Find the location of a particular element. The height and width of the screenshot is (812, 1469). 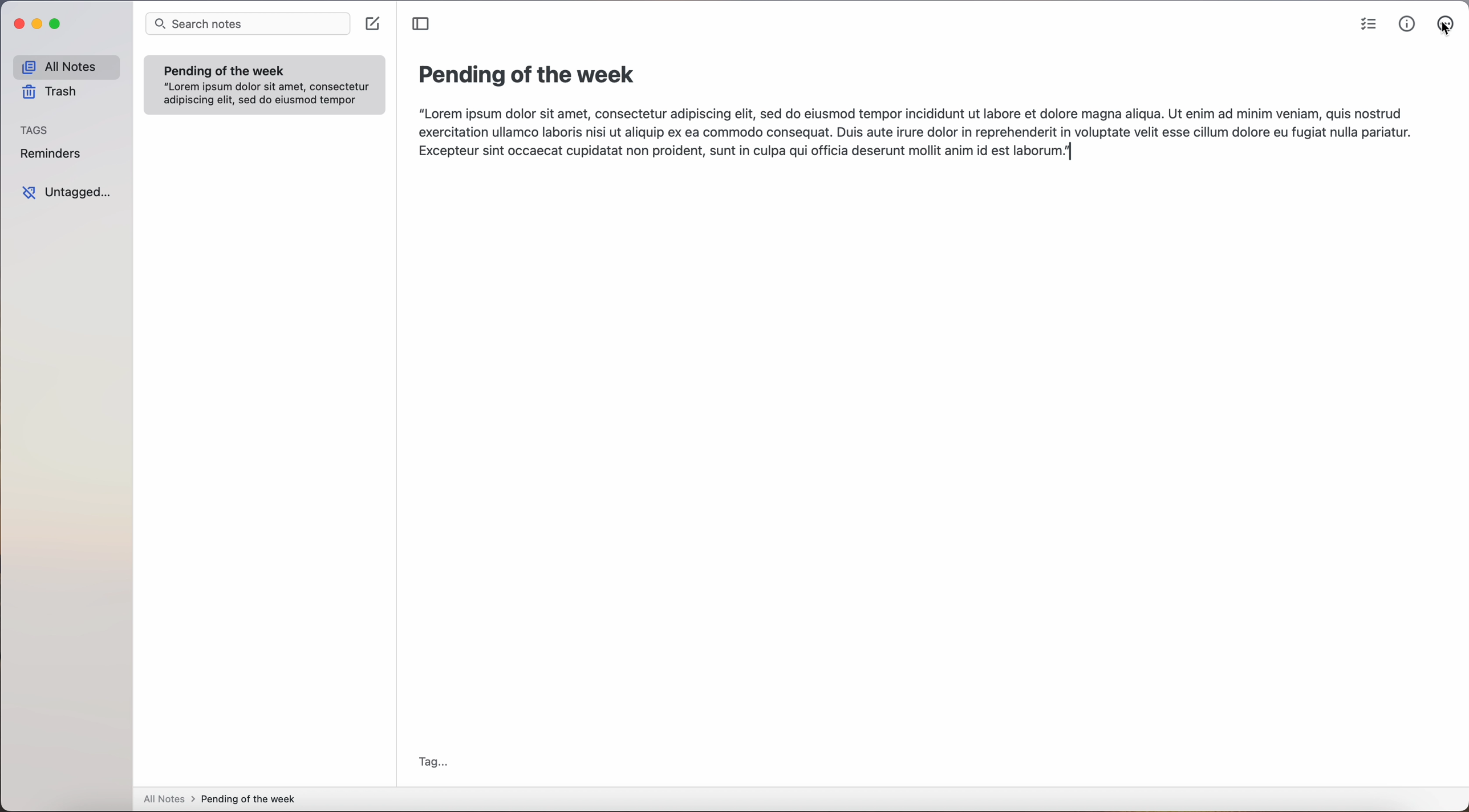

toggle sidebar is located at coordinates (421, 25).